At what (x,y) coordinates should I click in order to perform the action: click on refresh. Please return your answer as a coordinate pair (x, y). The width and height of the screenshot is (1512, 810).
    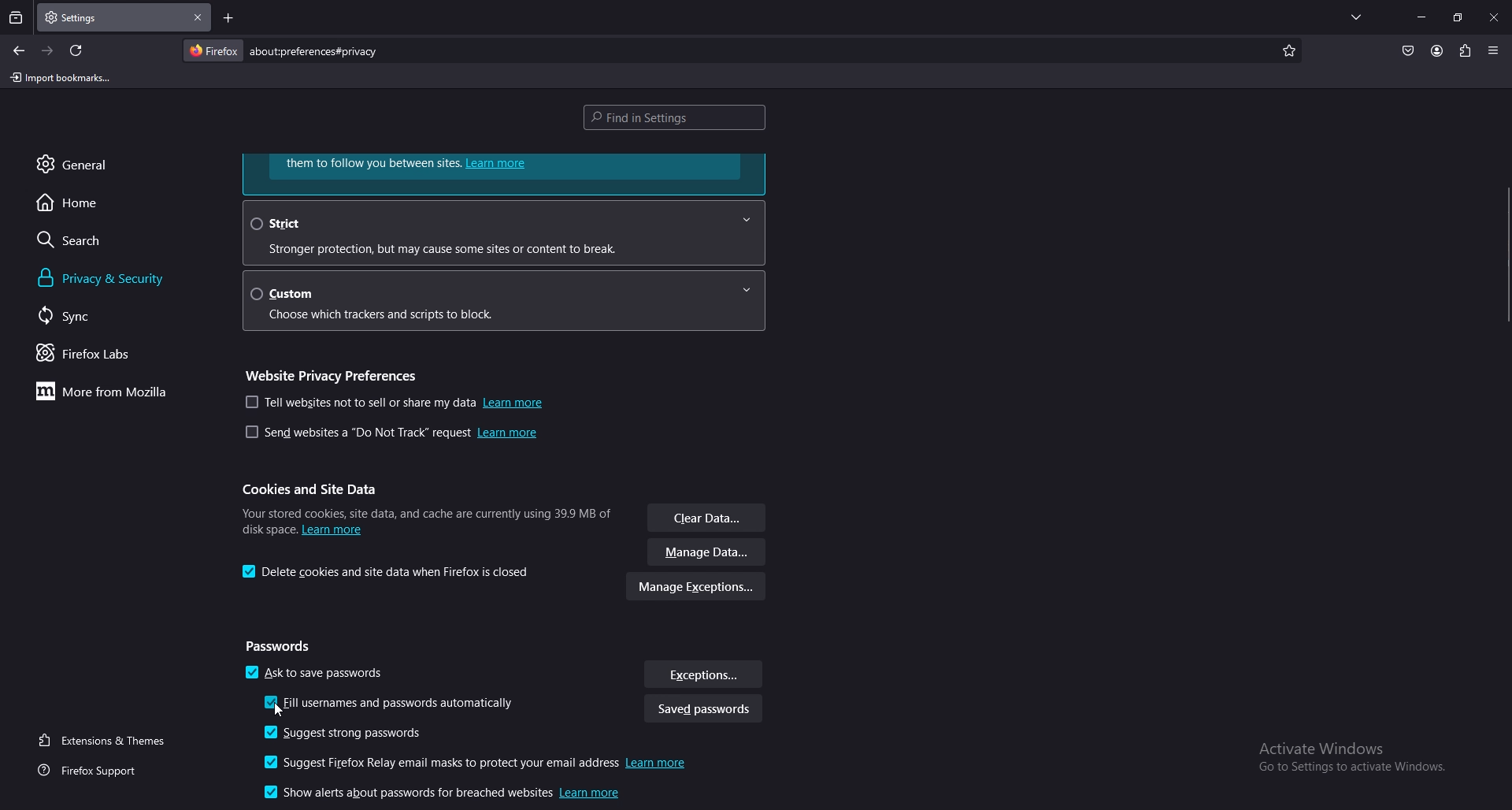
    Looking at the image, I should click on (77, 50).